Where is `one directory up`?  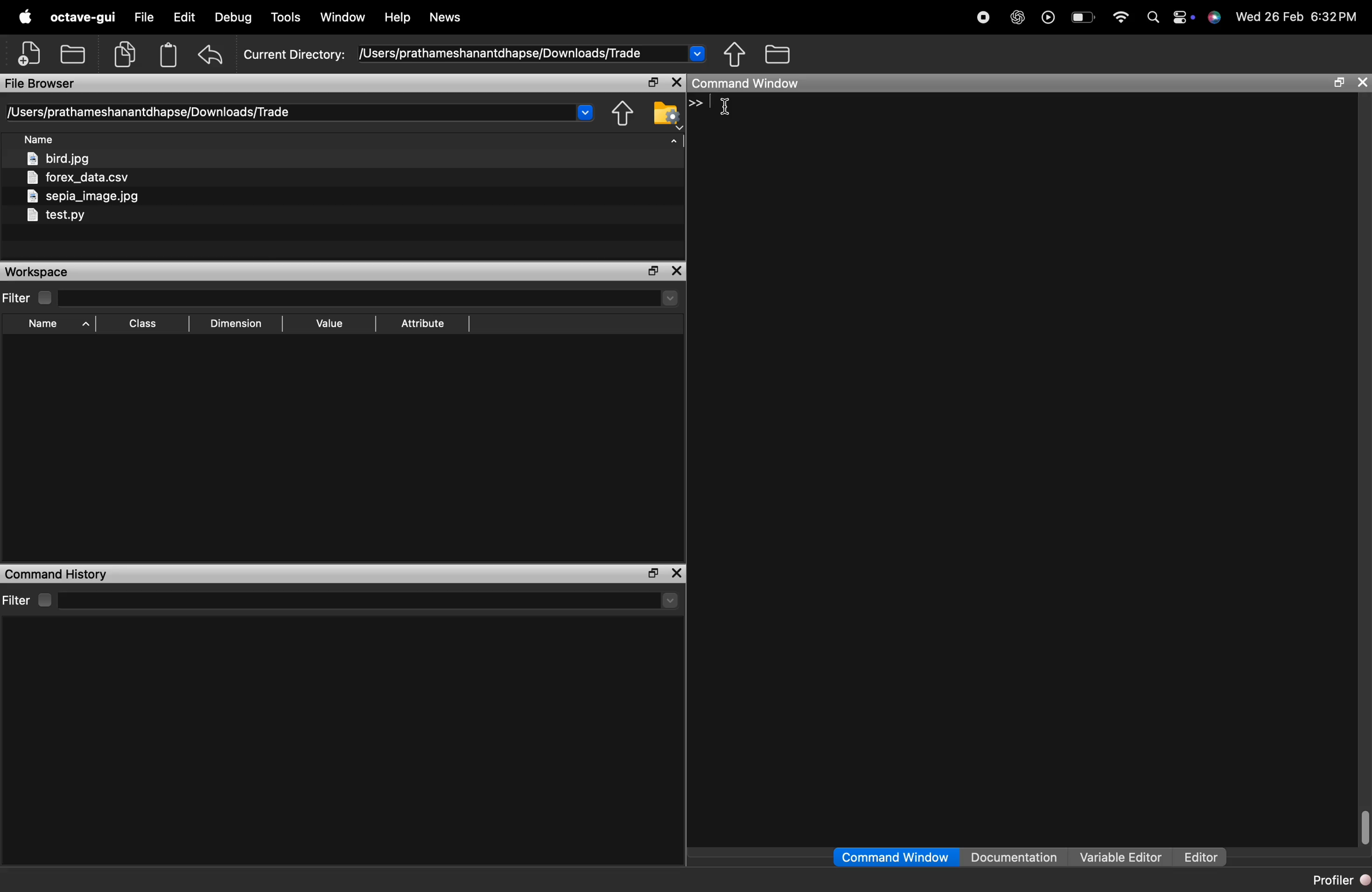 one directory up is located at coordinates (736, 54).